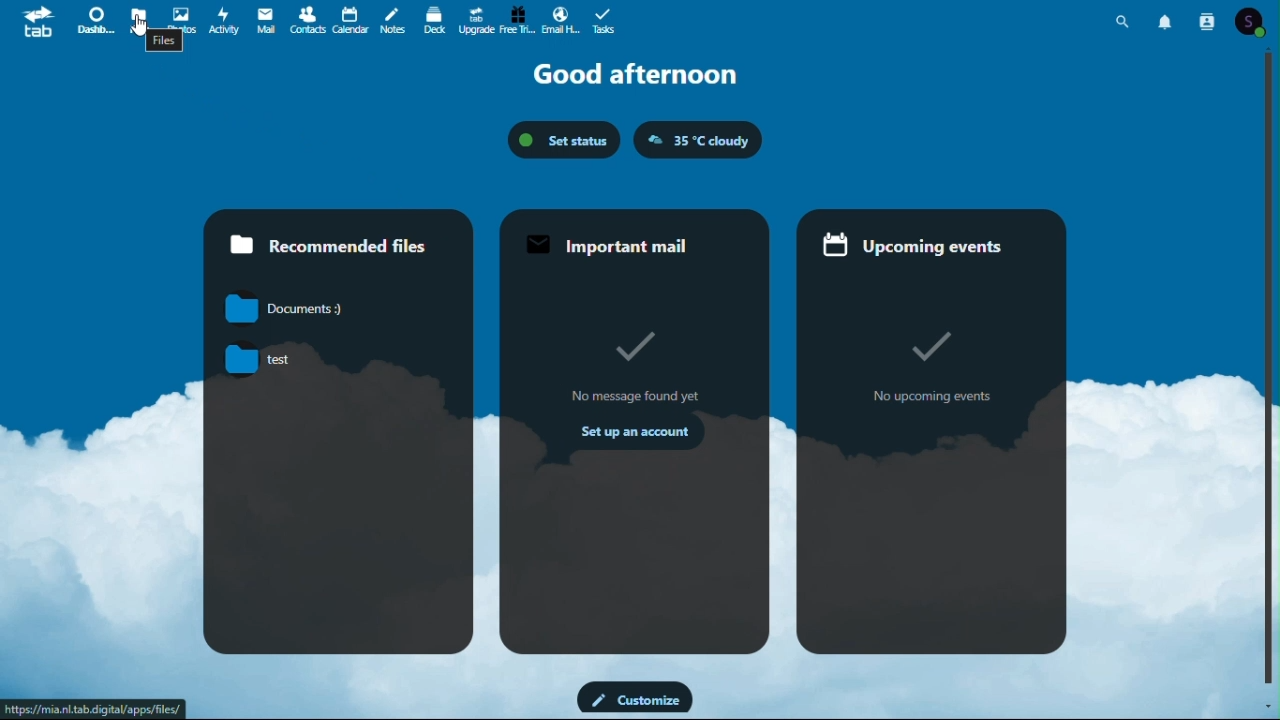  Describe the element at coordinates (702, 141) in the screenshot. I see `weather` at that location.